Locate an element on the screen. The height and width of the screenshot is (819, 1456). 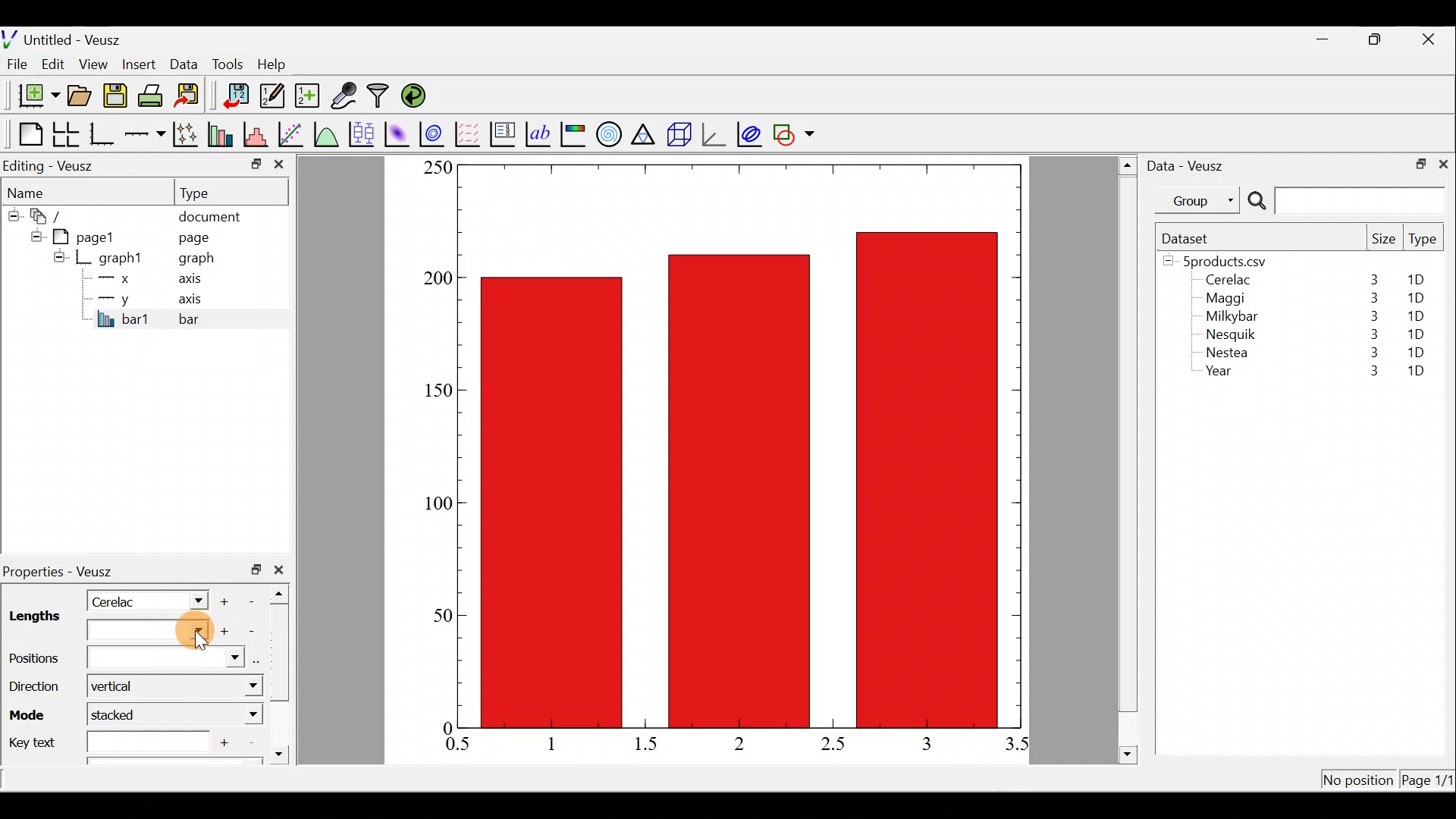
Plot key is located at coordinates (504, 133).